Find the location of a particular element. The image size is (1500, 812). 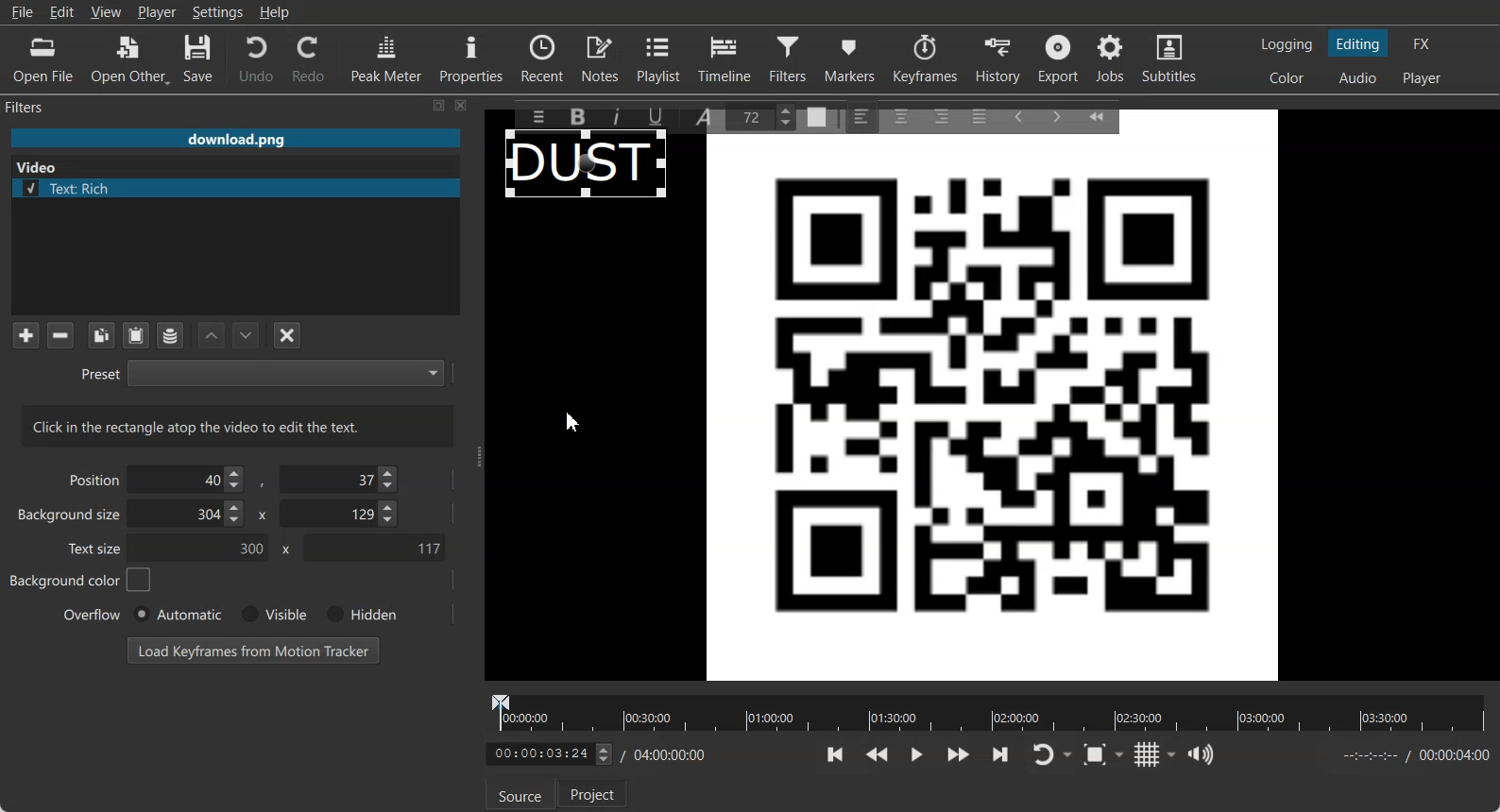

Peak Meter is located at coordinates (387, 58).